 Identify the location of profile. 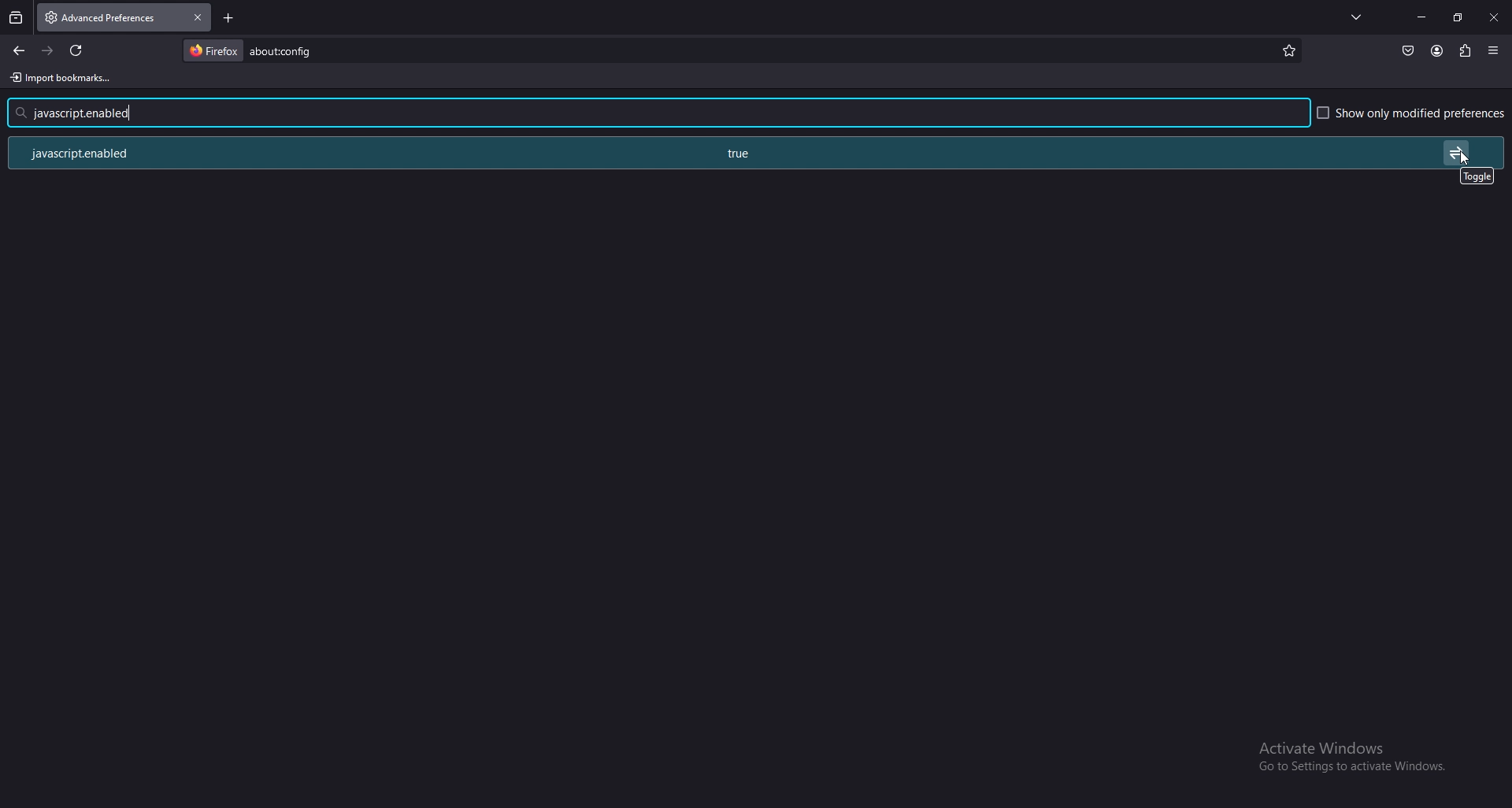
(1436, 51).